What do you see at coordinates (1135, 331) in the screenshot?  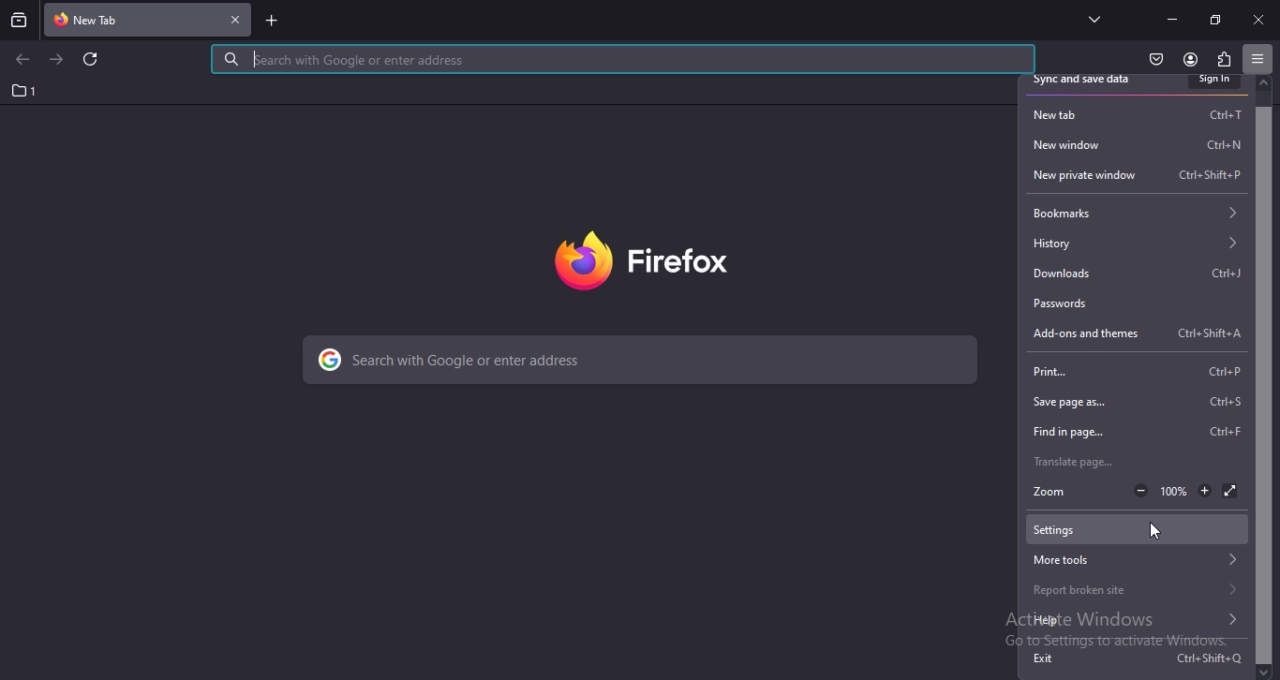 I see `add ons and themes` at bounding box center [1135, 331].